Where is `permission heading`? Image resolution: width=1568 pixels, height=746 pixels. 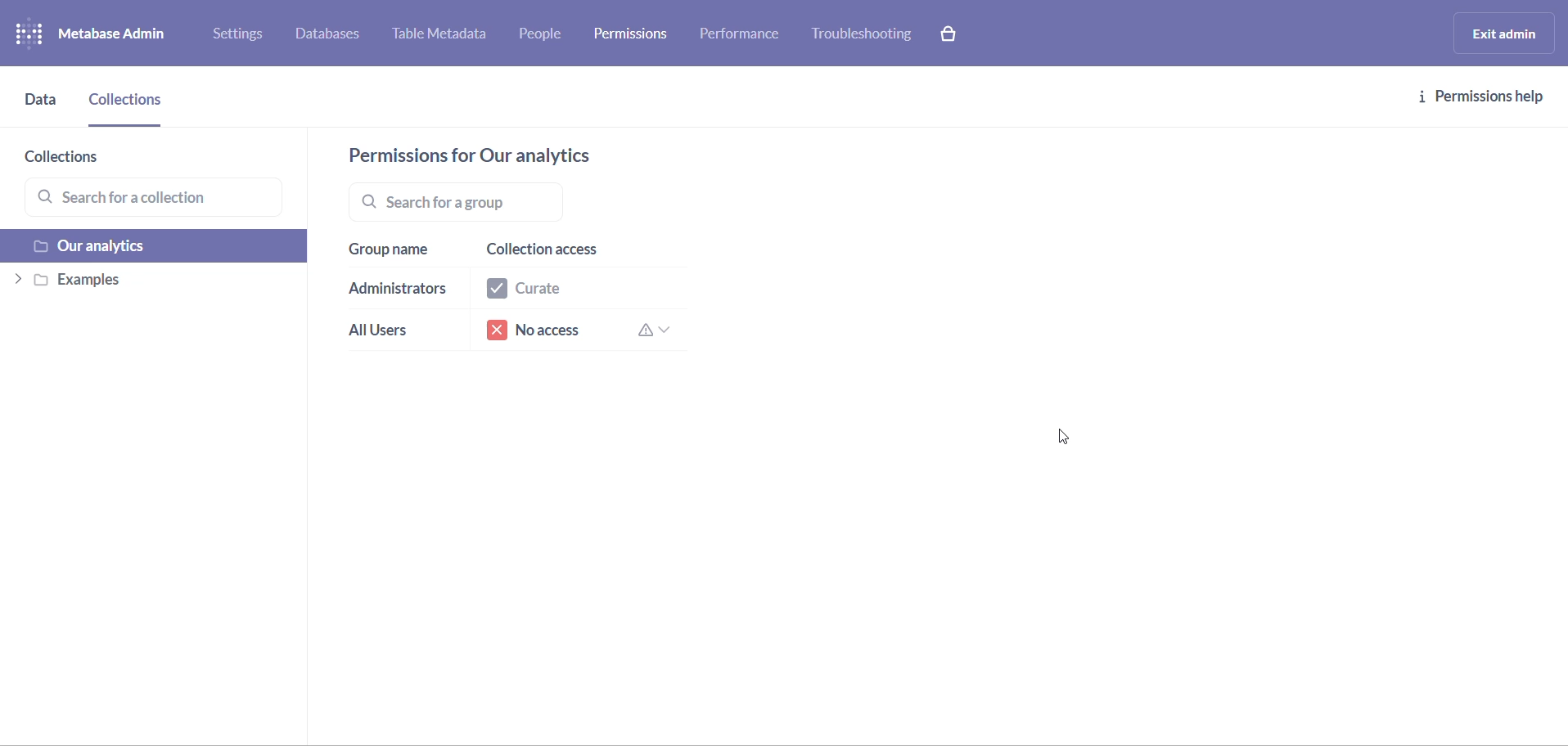 permission heading is located at coordinates (488, 155).